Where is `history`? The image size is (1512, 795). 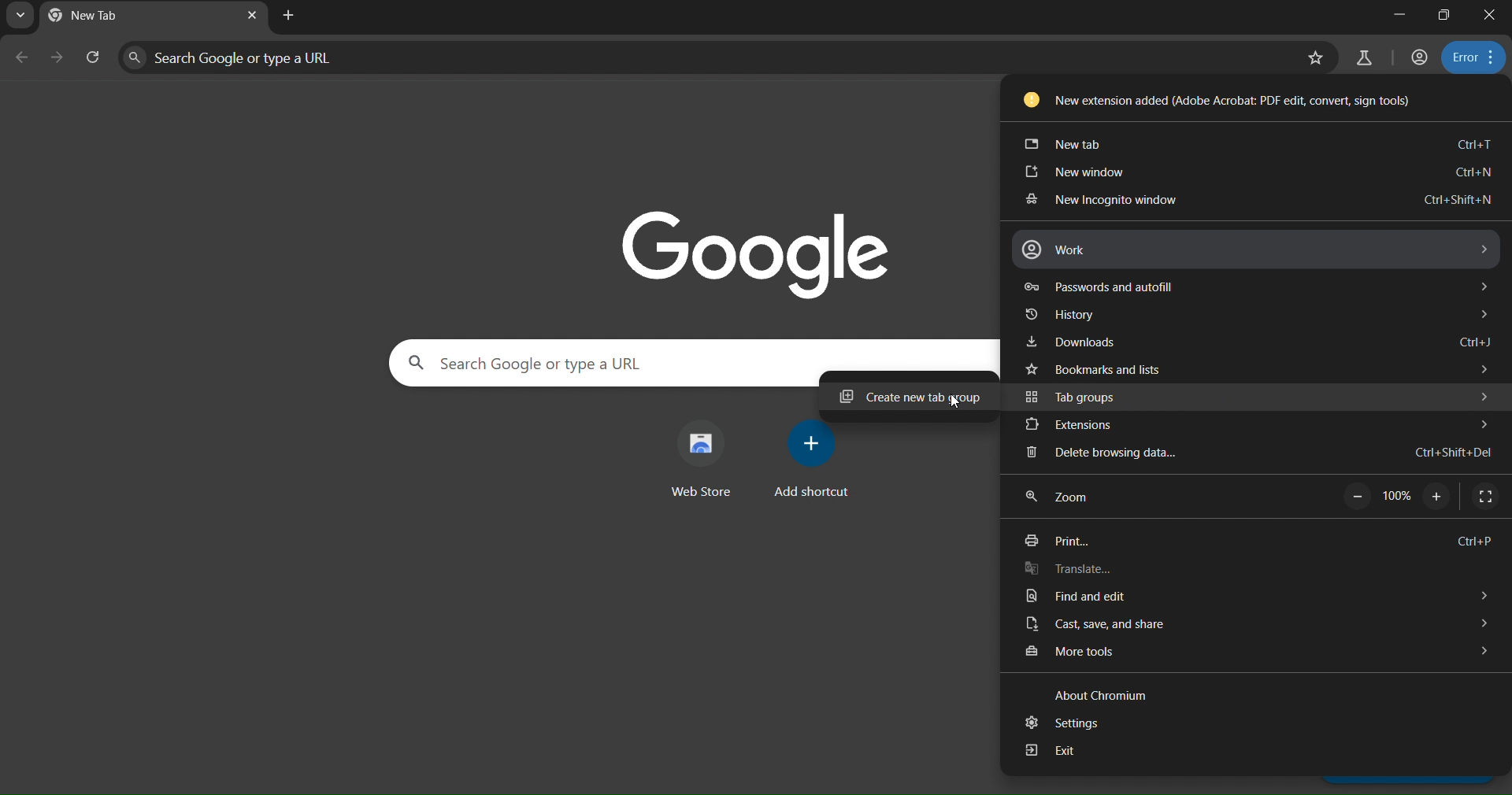
history is located at coordinates (1258, 312).